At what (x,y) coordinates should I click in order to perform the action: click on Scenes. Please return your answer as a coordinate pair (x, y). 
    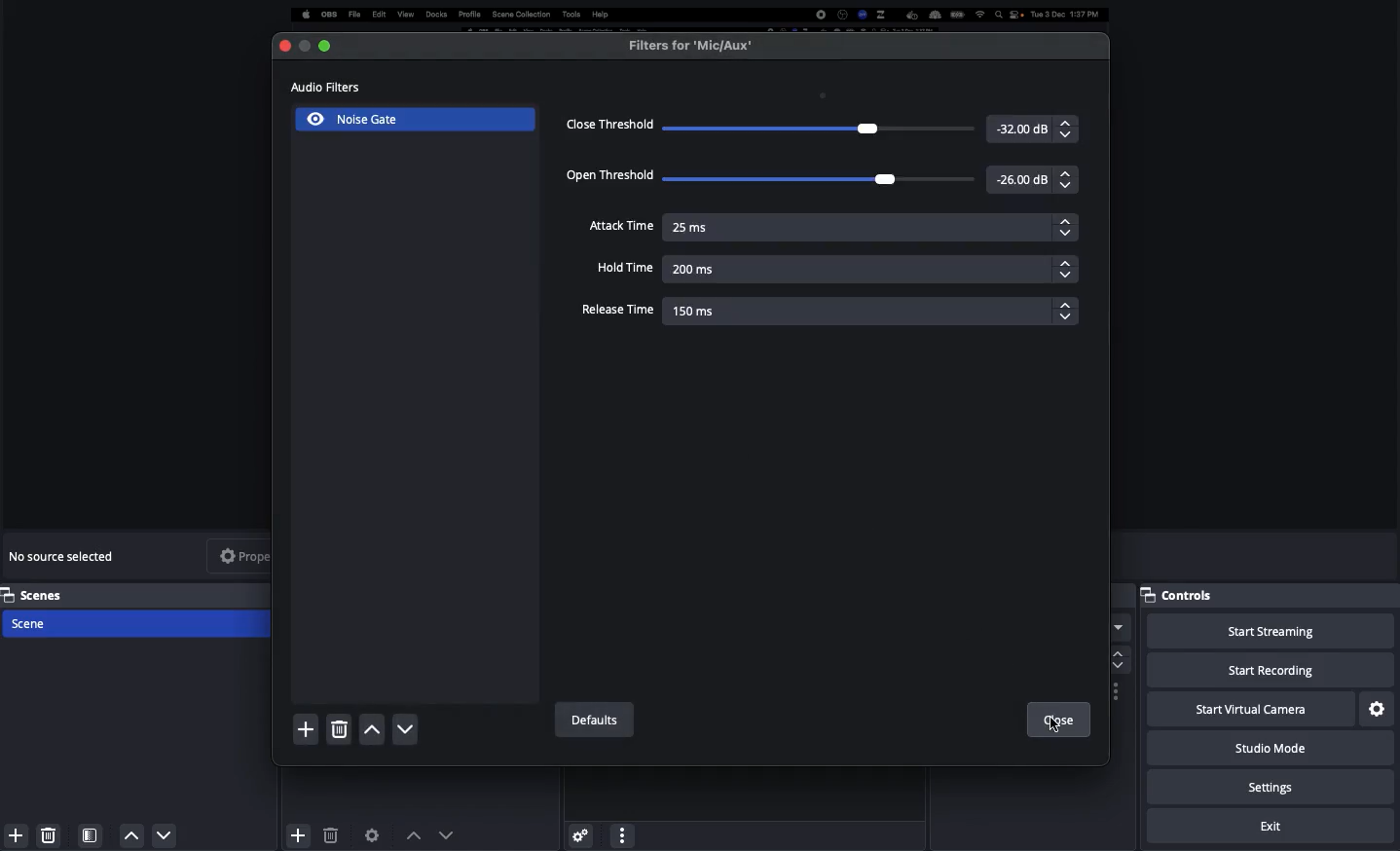
    Looking at the image, I should click on (138, 594).